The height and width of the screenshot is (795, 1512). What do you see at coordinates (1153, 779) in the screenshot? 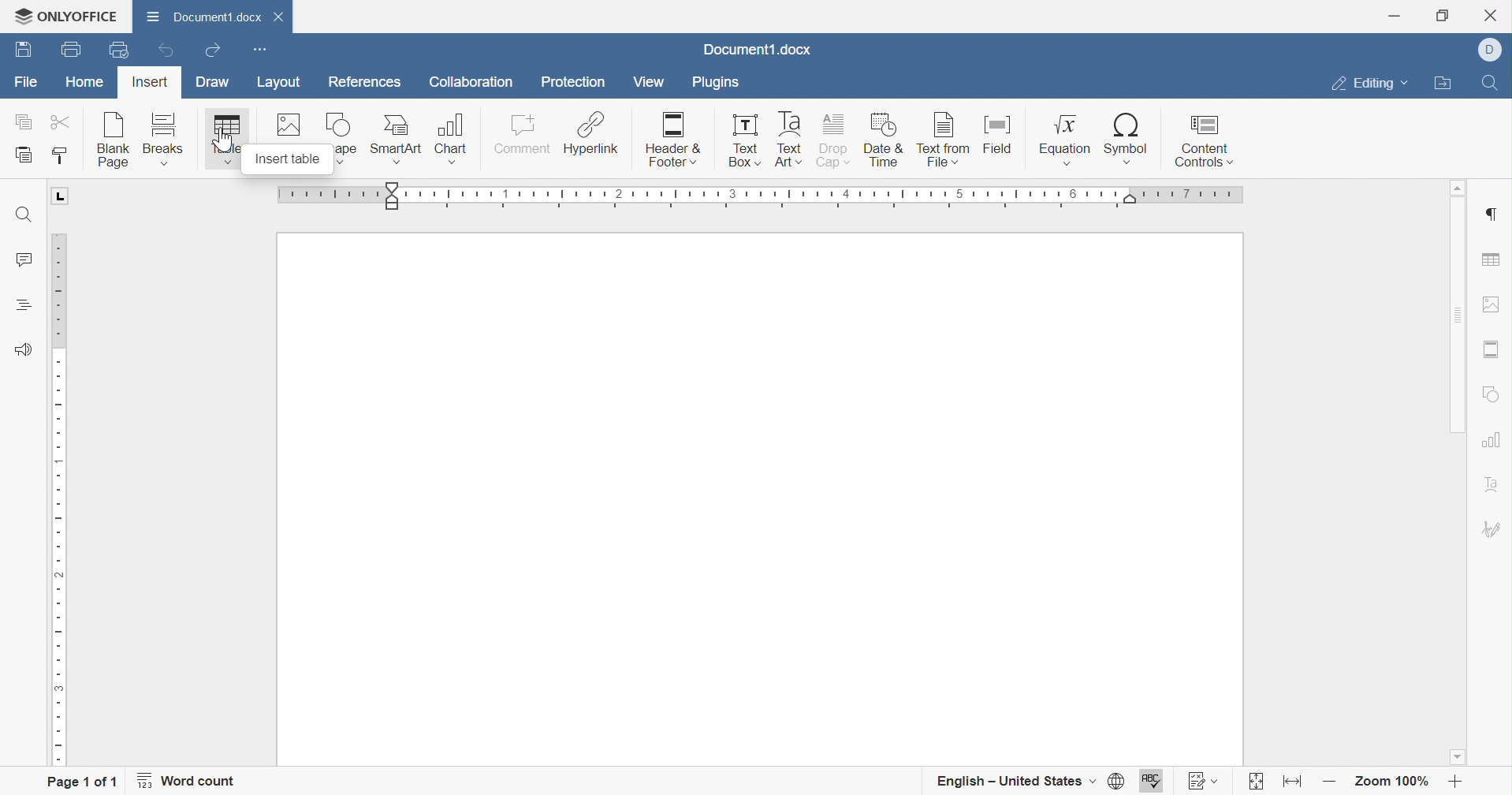
I see `Spell checking` at bounding box center [1153, 779].